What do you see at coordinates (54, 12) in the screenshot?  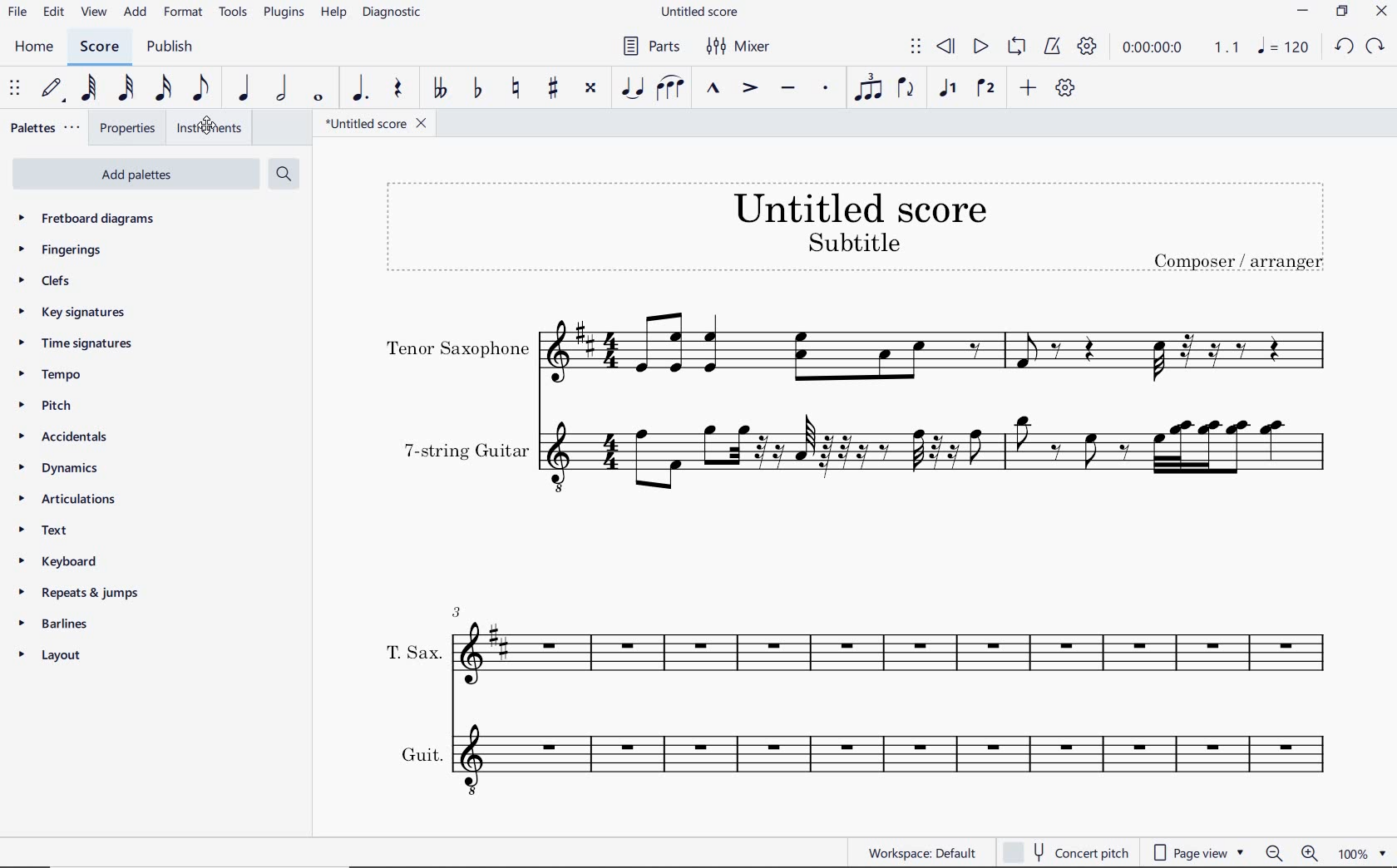 I see `EDIT` at bounding box center [54, 12].